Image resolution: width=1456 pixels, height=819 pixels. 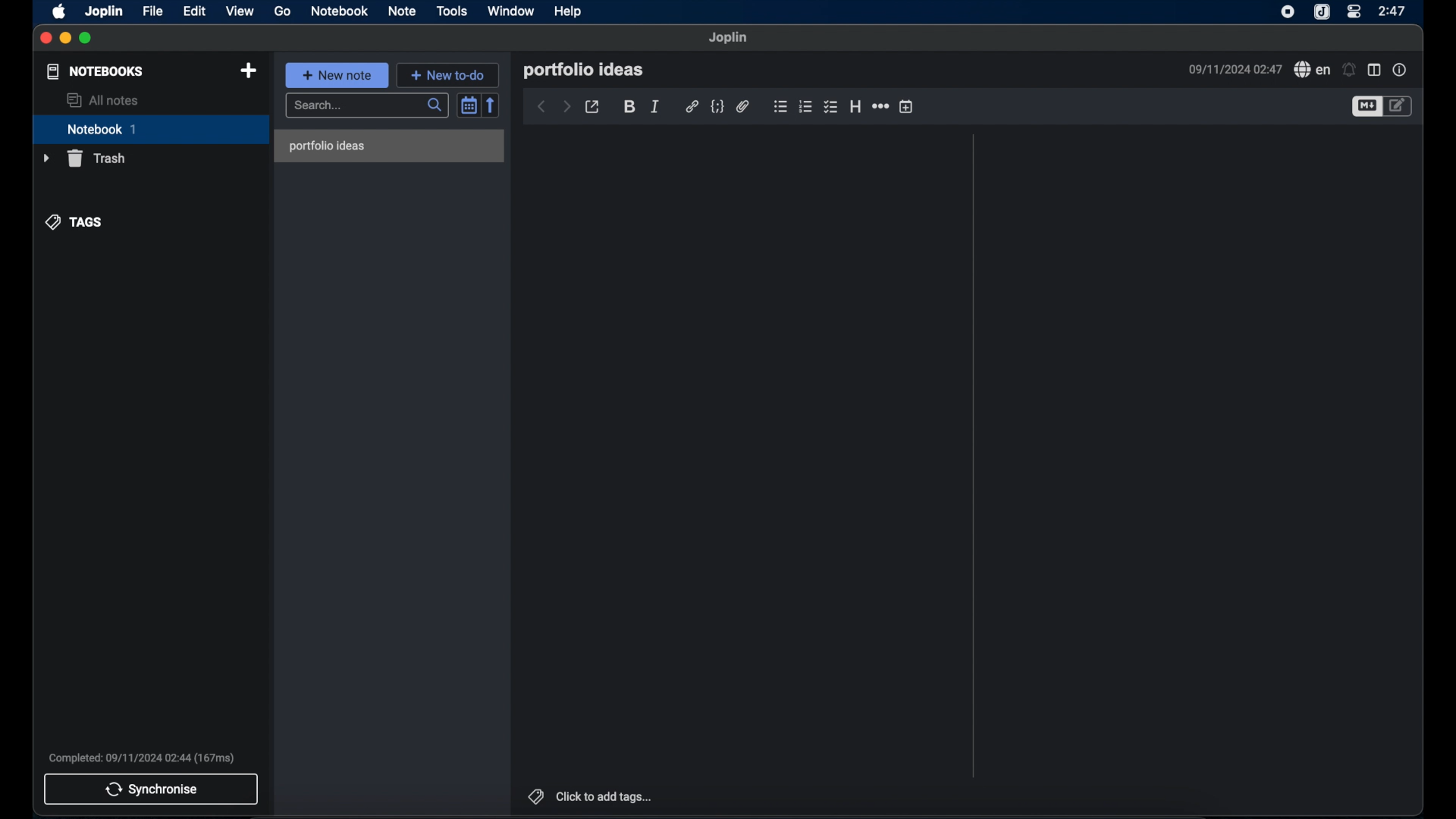 What do you see at coordinates (566, 107) in the screenshot?
I see `forward` at bounding box center [566, 107].